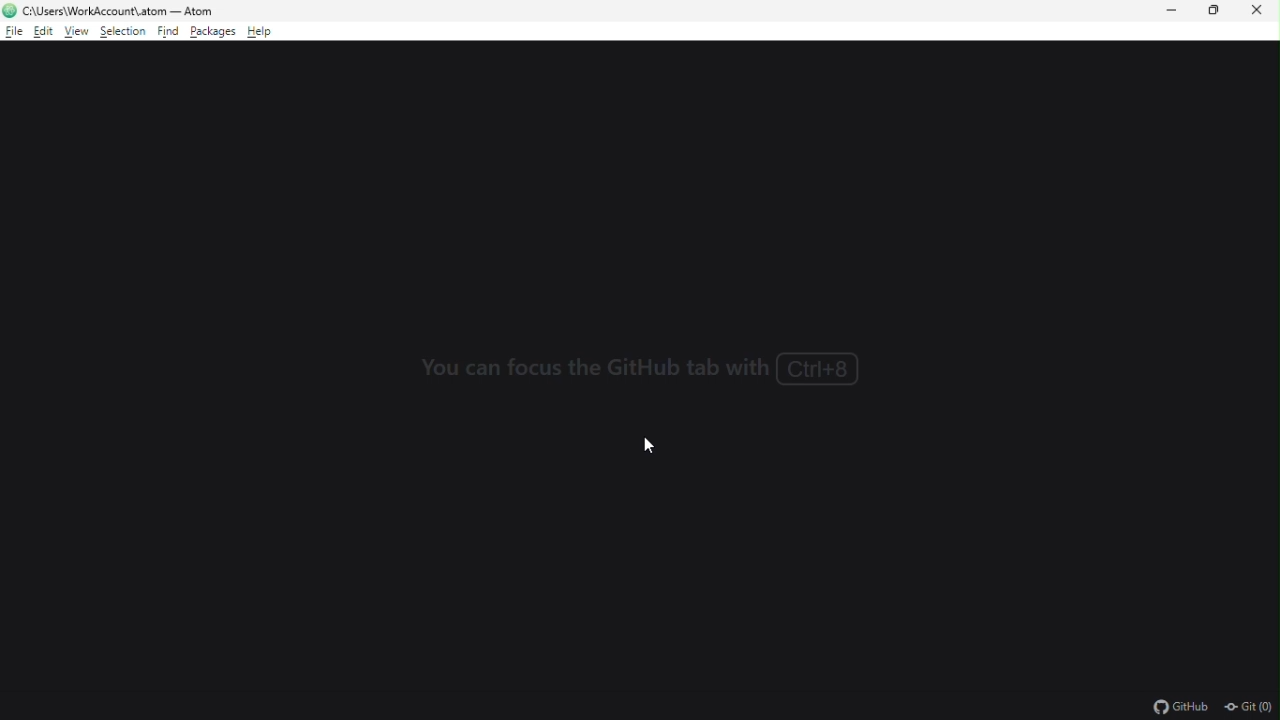  What do you see at coordinates (214, 32) in the screenshot?
I see `packages` at bounding box center [214, 32].